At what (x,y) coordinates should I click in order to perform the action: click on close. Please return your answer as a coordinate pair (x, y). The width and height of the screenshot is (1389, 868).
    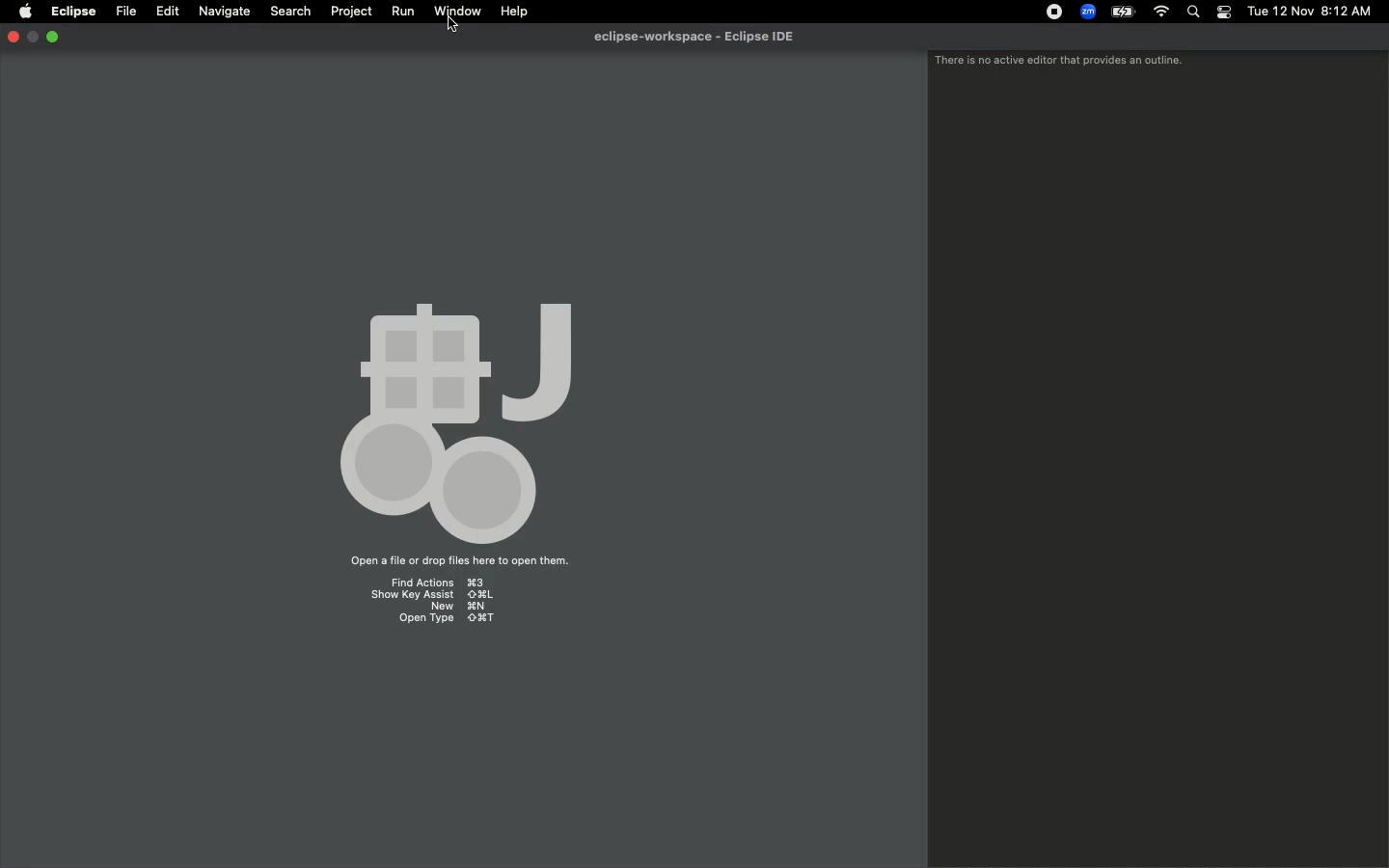
    Looking at the image, I should click on (13, 39).